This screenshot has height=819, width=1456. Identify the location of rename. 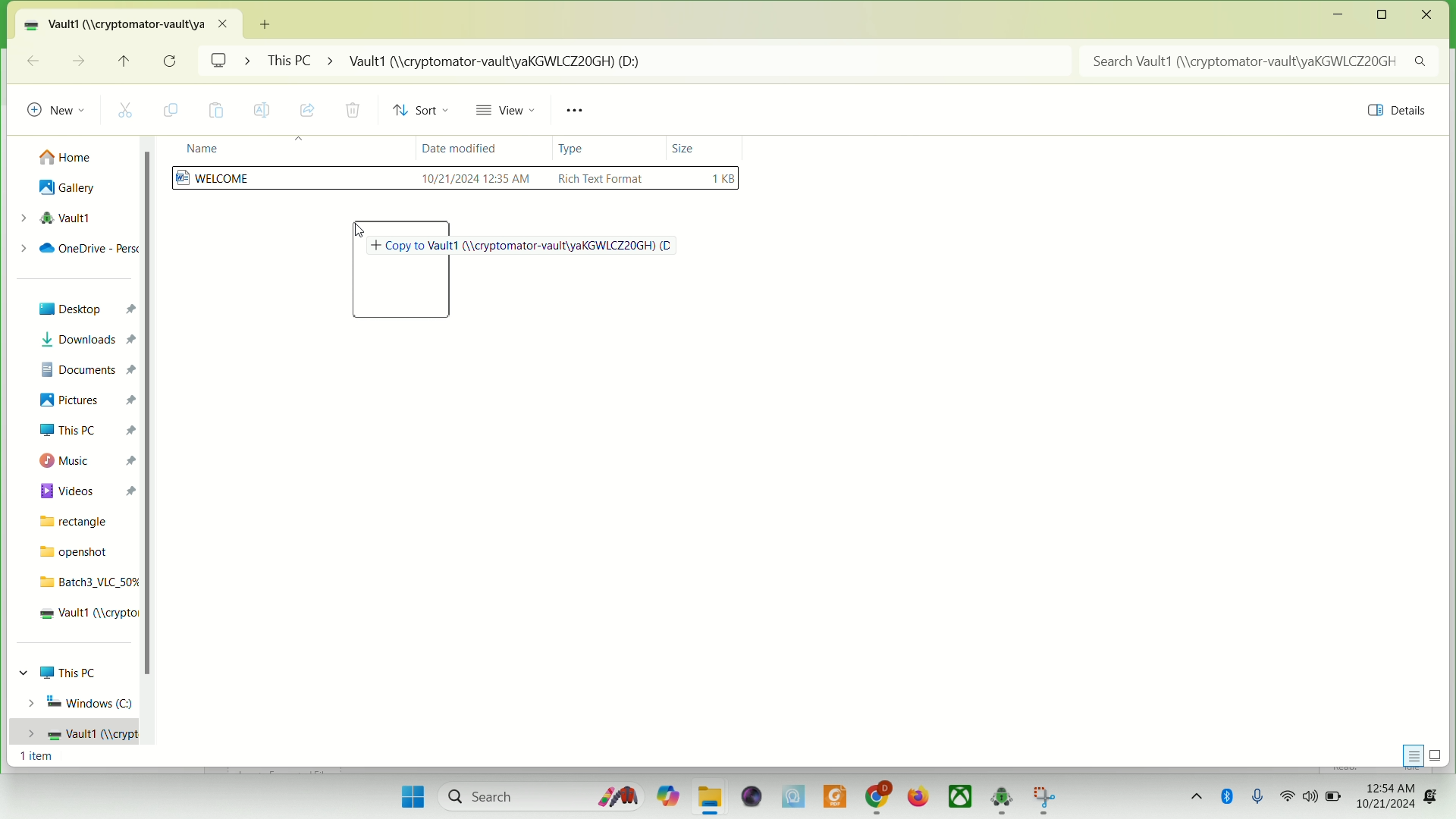
(263, 110).